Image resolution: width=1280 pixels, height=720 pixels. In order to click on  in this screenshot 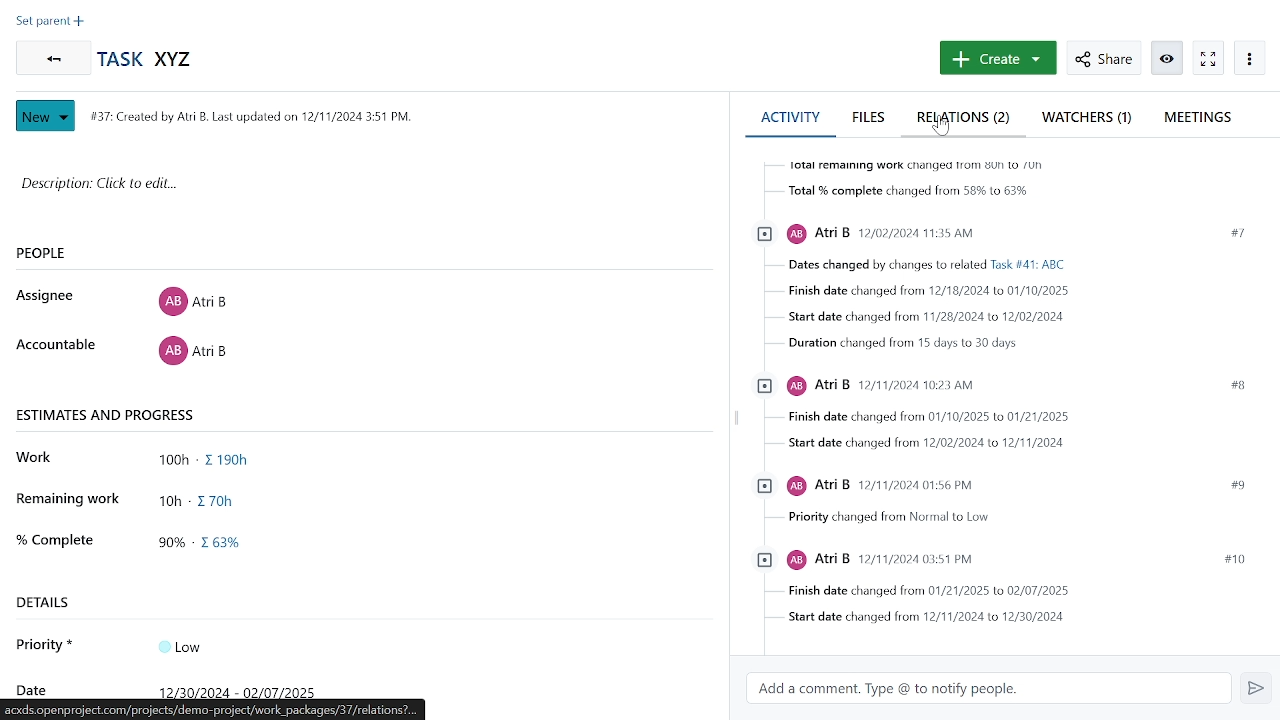, I will do `click(192, 645)`.